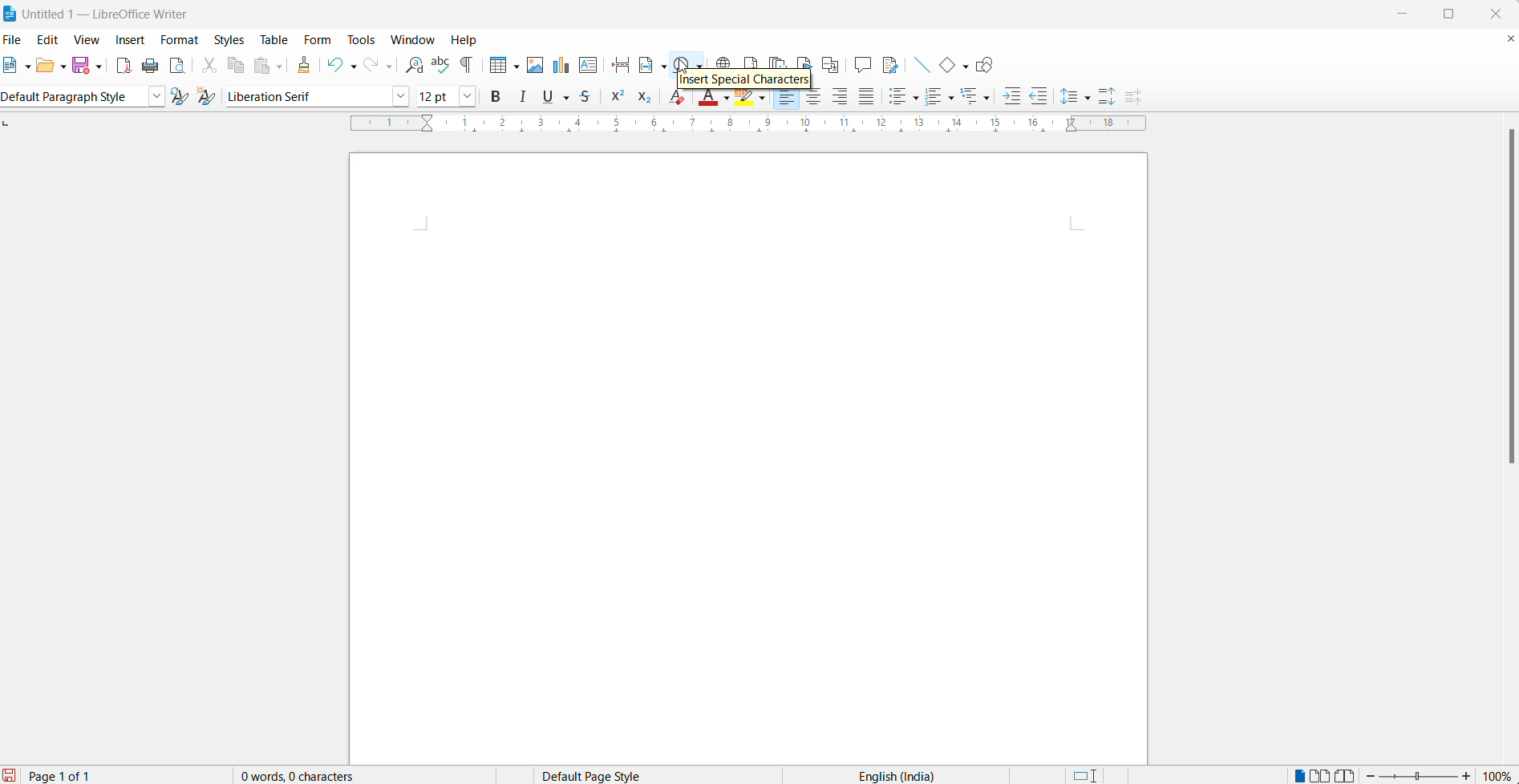  I want to click on insert footnote, so click(750, 61).